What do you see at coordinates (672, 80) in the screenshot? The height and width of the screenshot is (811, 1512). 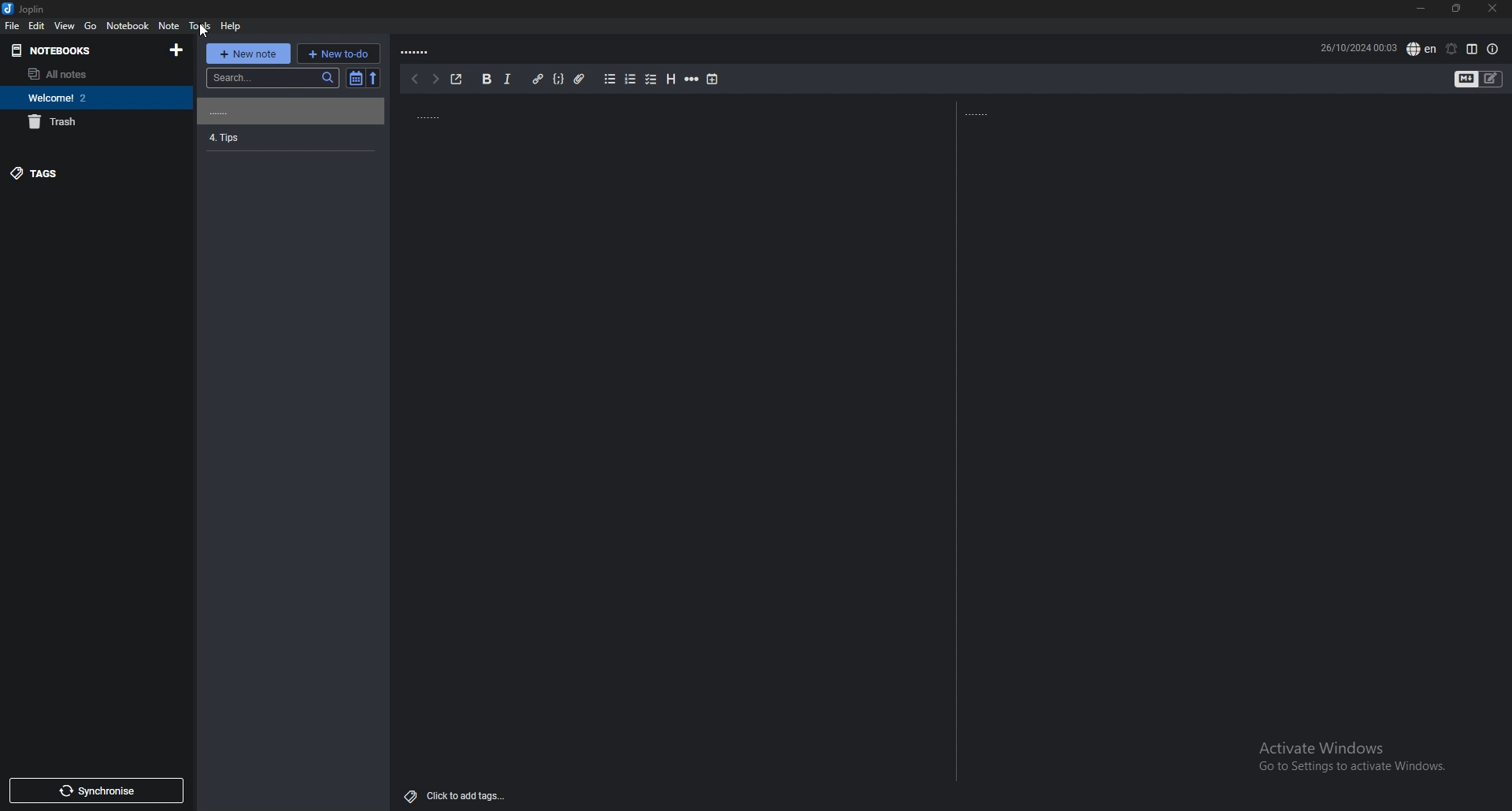 I see `heading` at bounding box center [672, 80].